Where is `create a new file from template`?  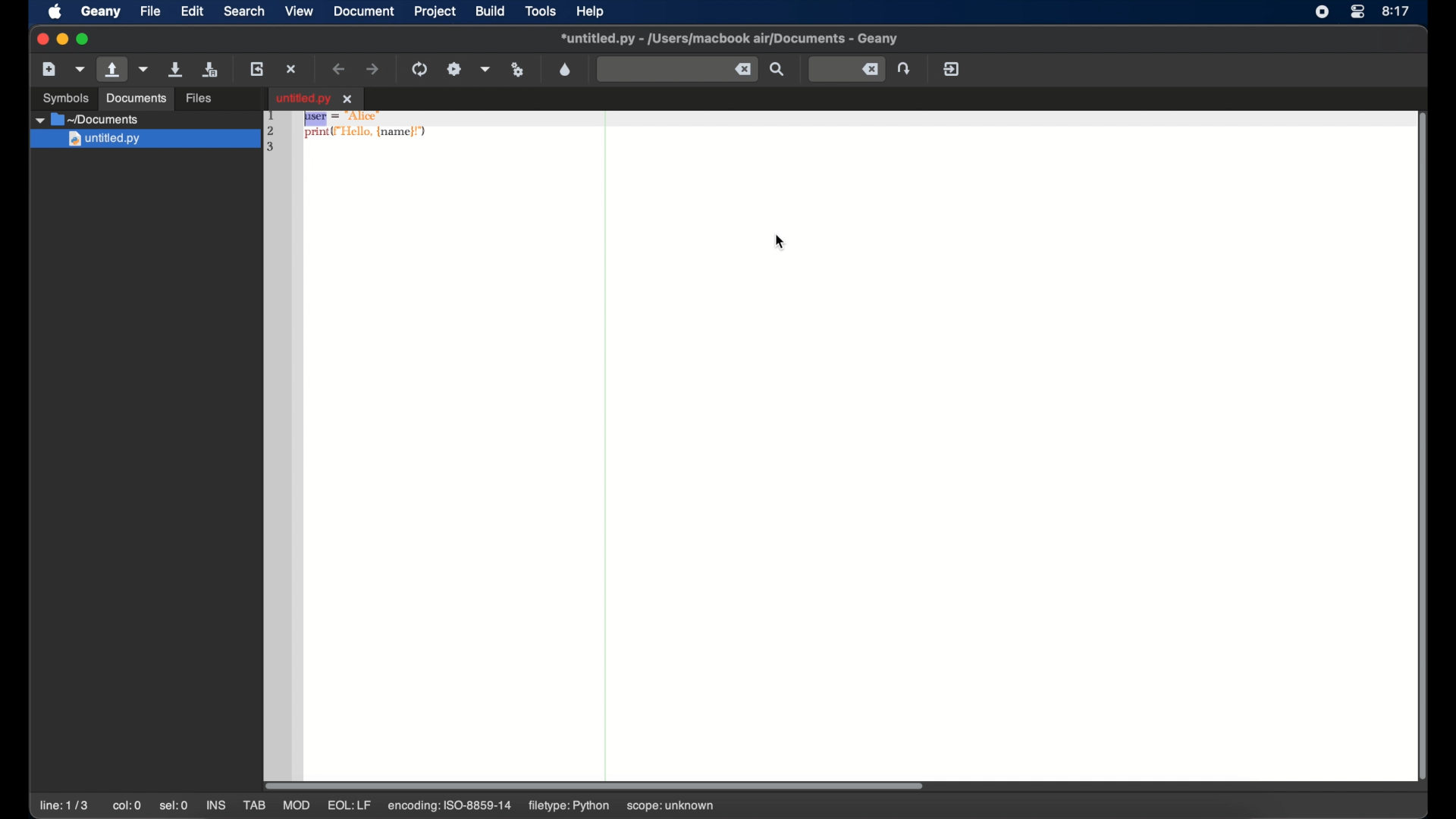
create a new file from template is located at coordinates (80, 70).